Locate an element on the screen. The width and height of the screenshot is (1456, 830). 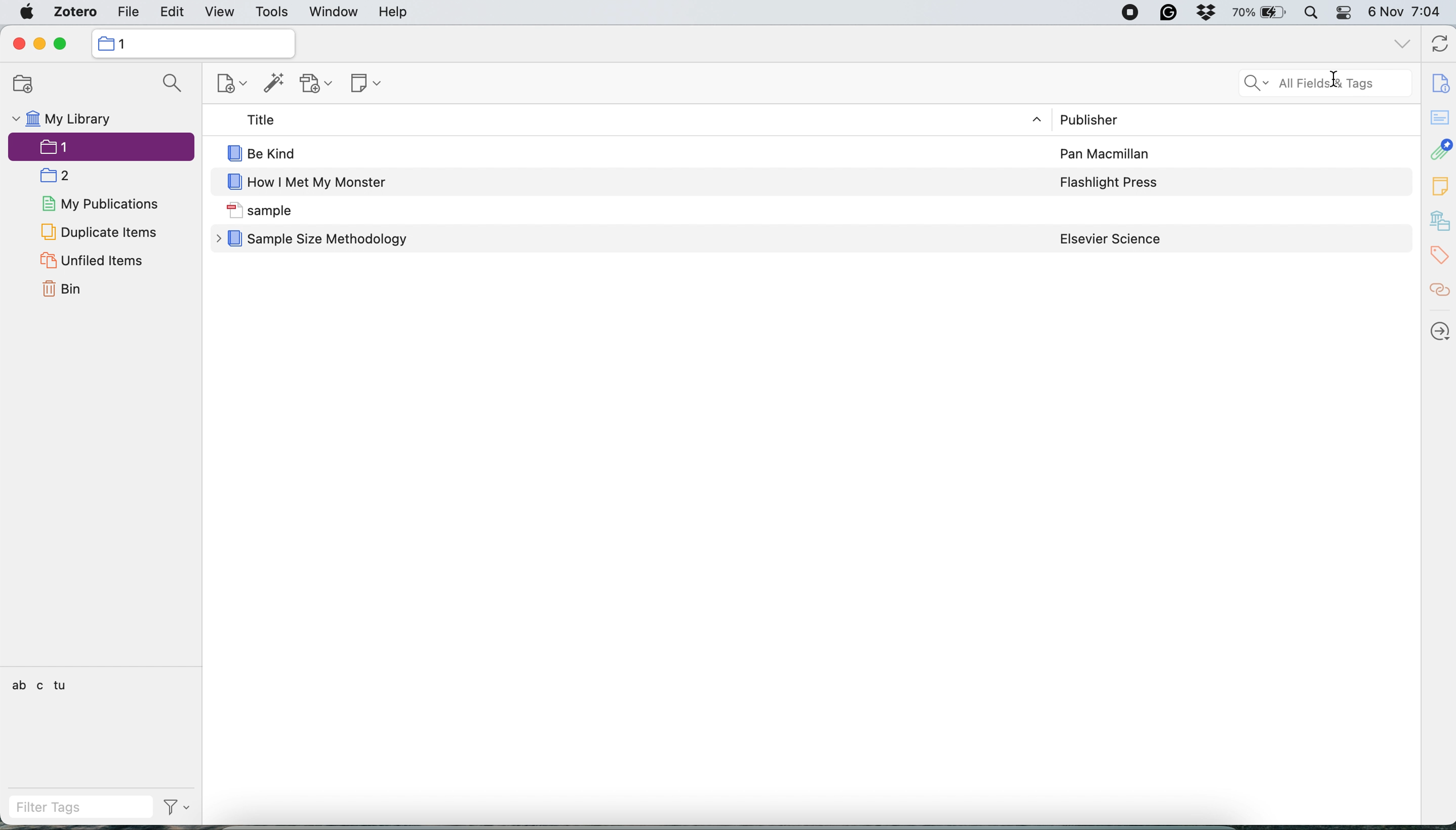
collection 2 is located at coordinates (60, 176).